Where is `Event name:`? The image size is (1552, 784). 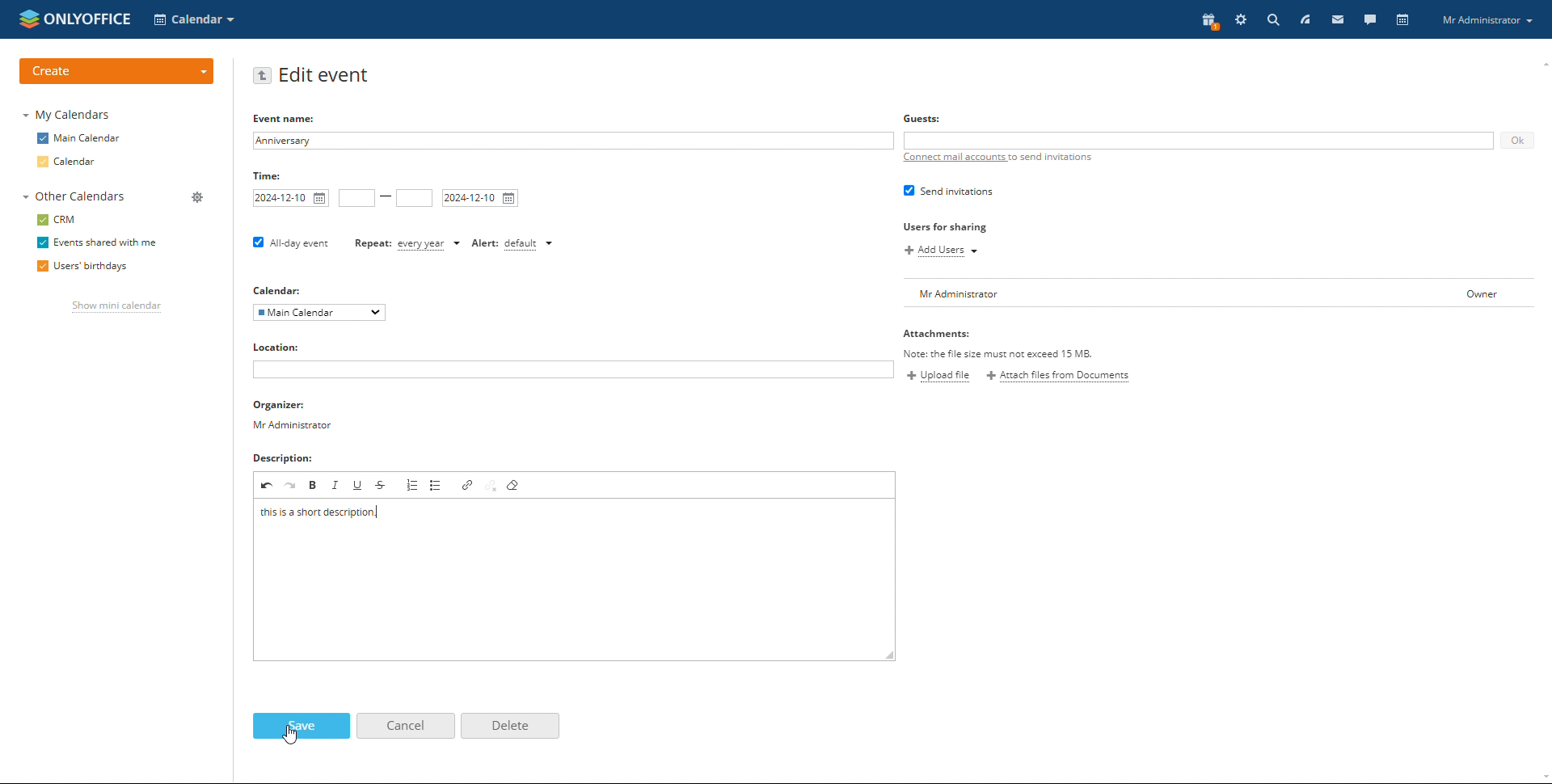
Event name: is located at coordinates (297, 117).